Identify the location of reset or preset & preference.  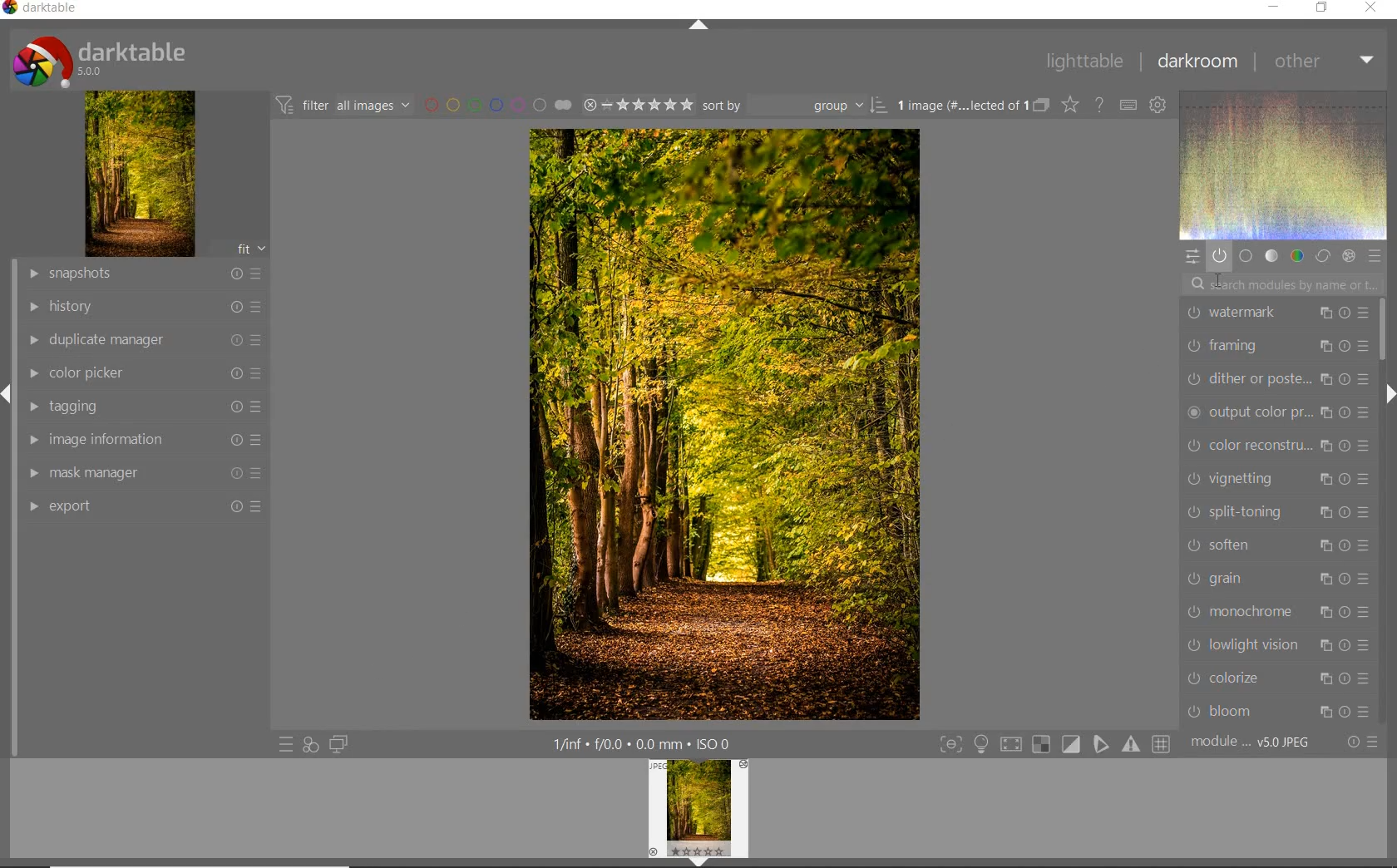
(1361, 742).